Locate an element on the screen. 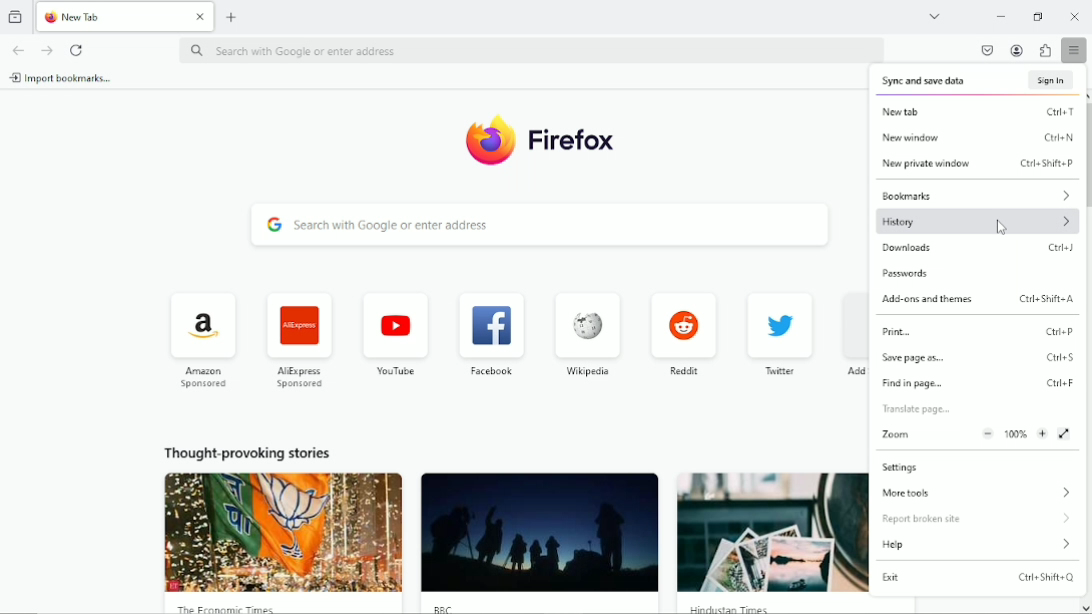  History > is located at coordinates (975, 223).